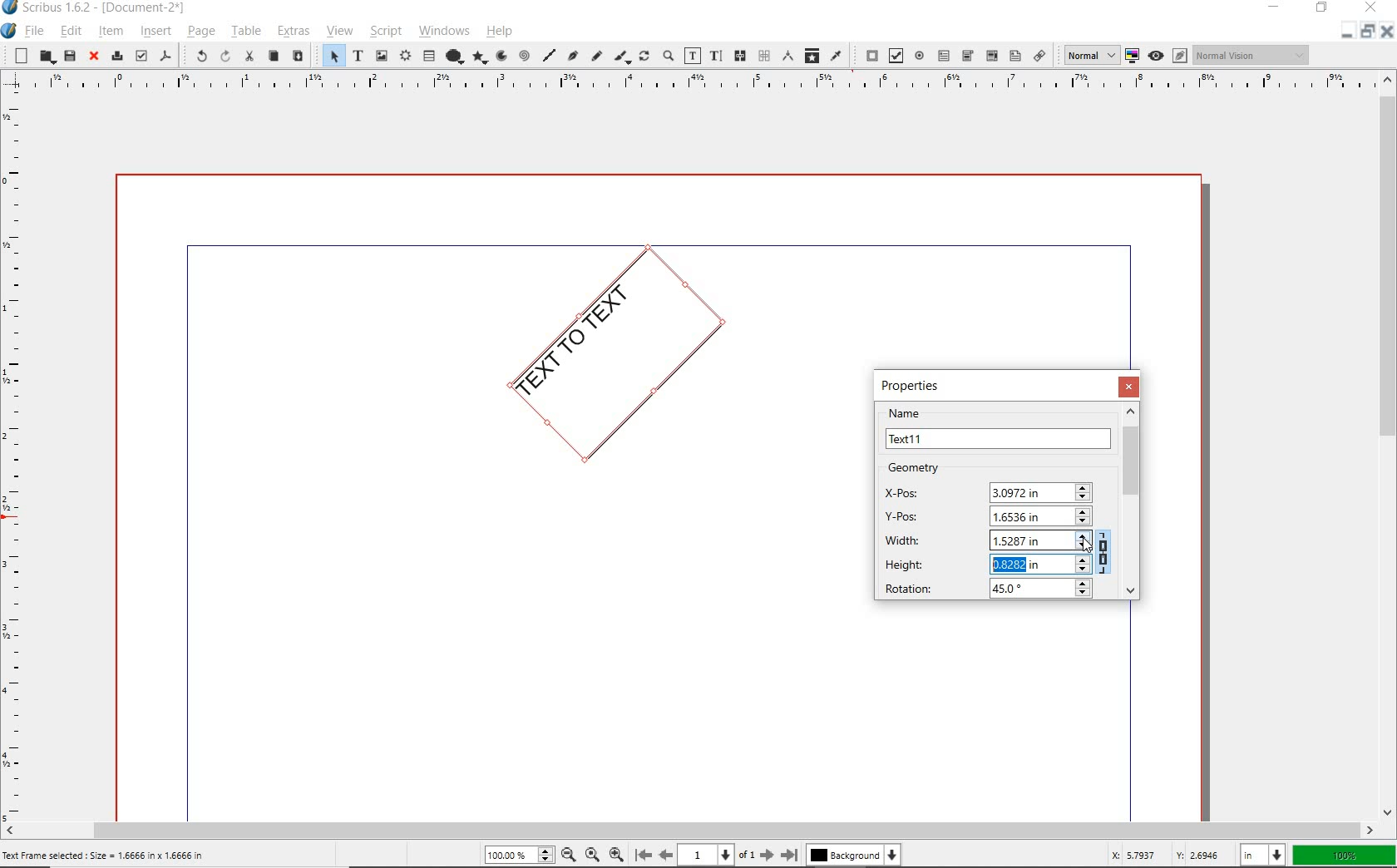 The width and height of the screenshot is (1397, 868). What do you see at coordinates (812, 55) in the screenshot?
I see `copy item properties` at bounding box center [812, 55].